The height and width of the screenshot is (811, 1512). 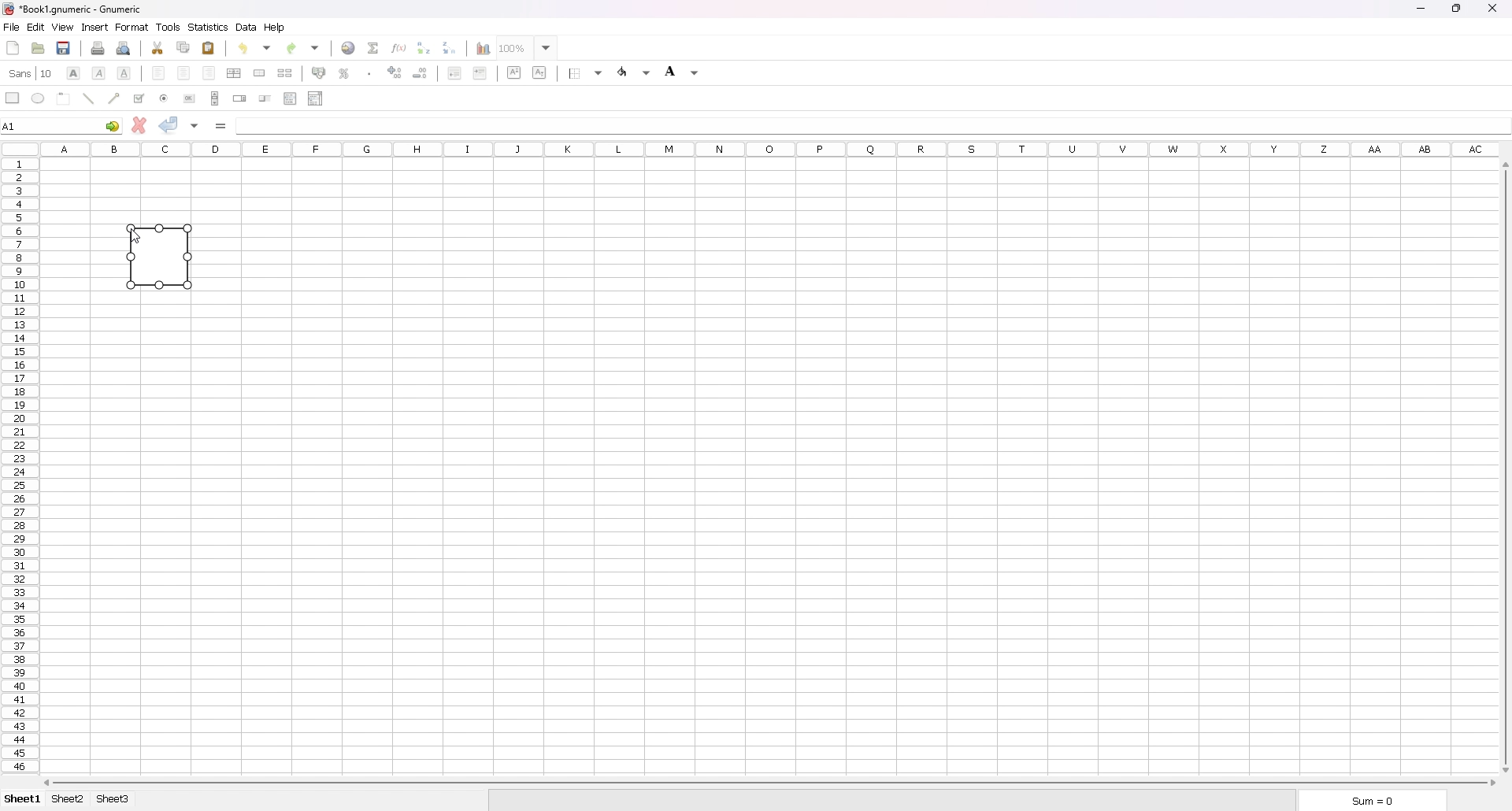 What do you see at coordinates (587, 74) in the screenshot?
I see `border` at bounding box center [587, 74].